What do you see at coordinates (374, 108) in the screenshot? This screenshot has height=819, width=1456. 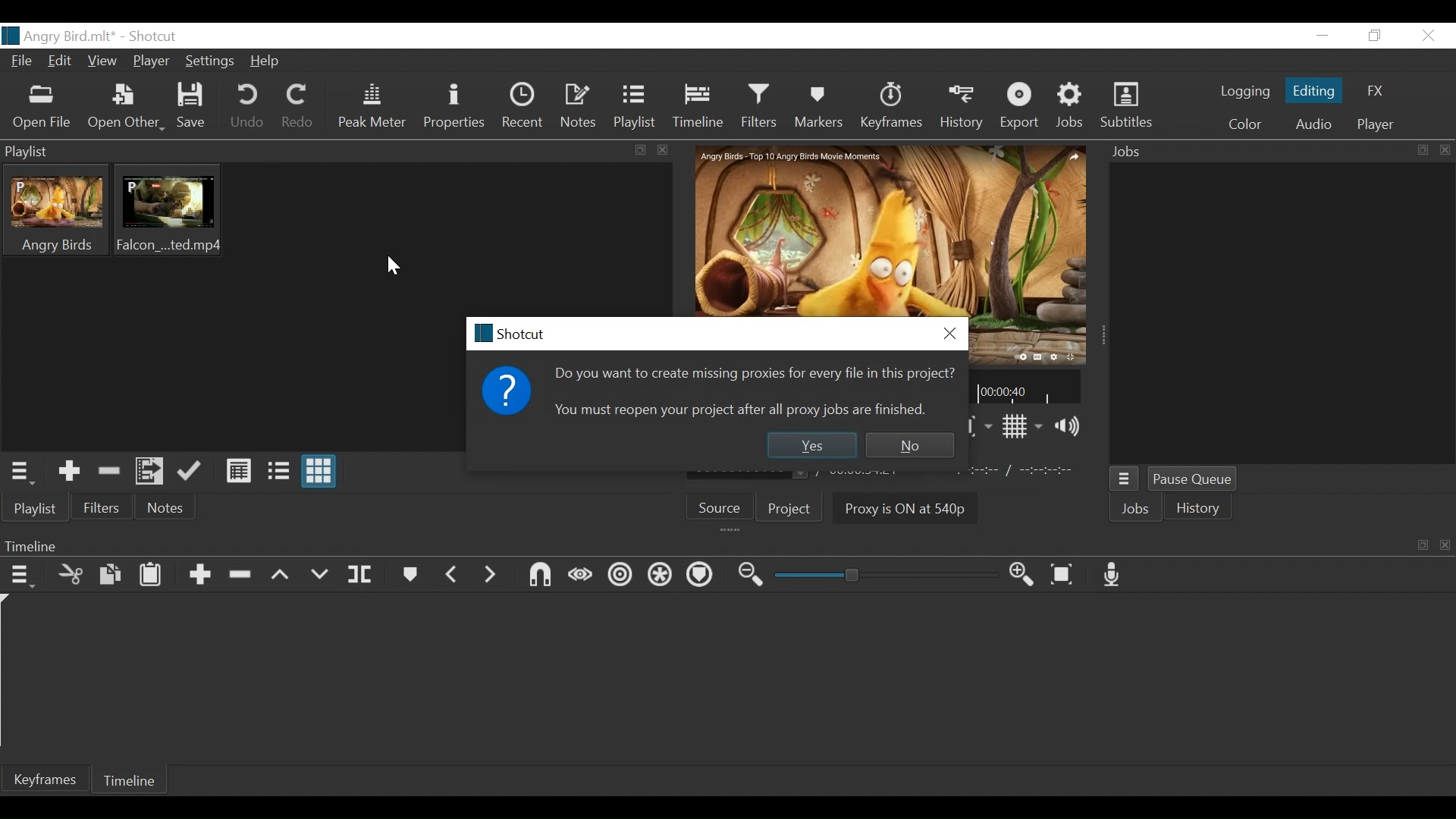 I see `Peak Meter` at bounding box center [374, 108].